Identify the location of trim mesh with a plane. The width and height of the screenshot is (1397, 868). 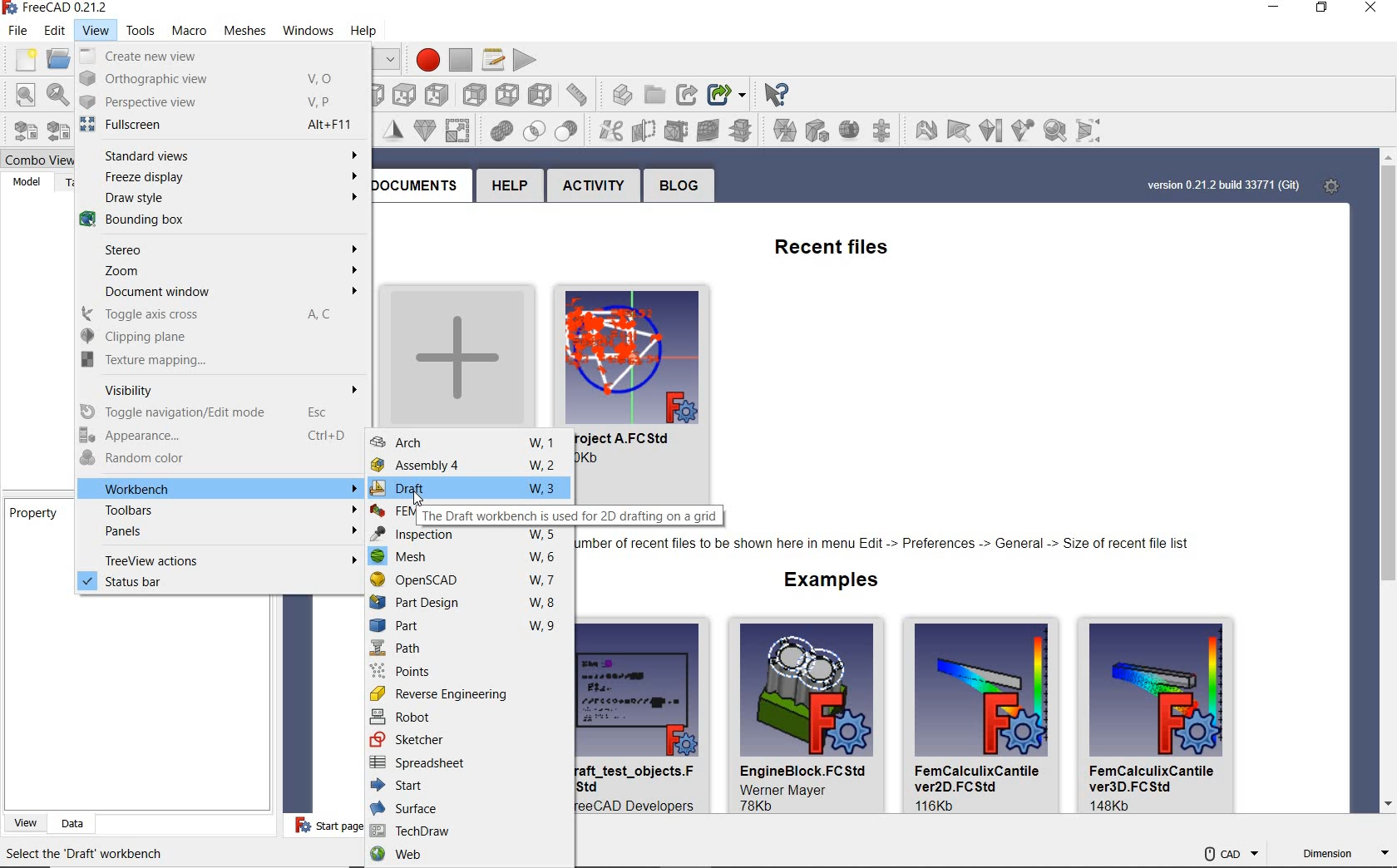
(647, 131).